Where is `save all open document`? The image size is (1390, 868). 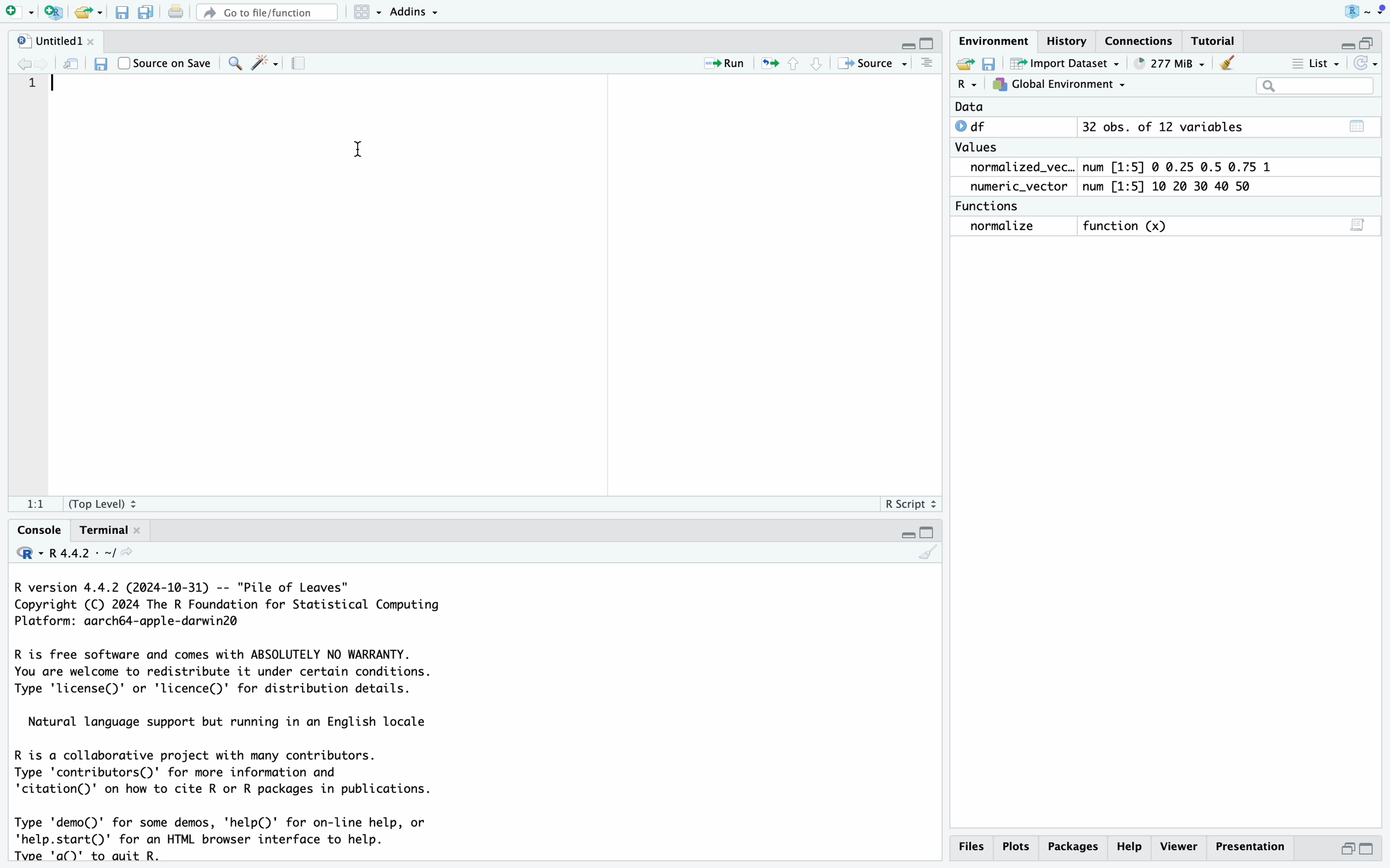
save all open document is located at coordinates (144, 12).